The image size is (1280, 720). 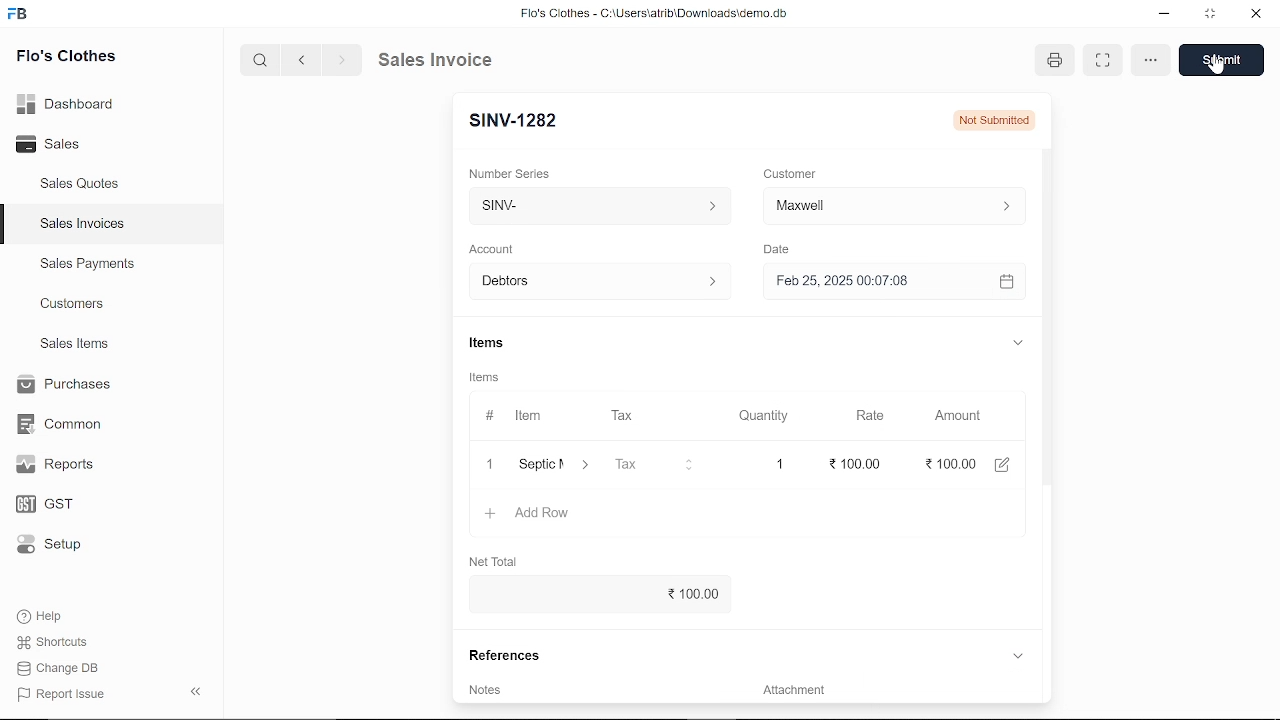 I want to click on previous, so click(x=303, y=60).